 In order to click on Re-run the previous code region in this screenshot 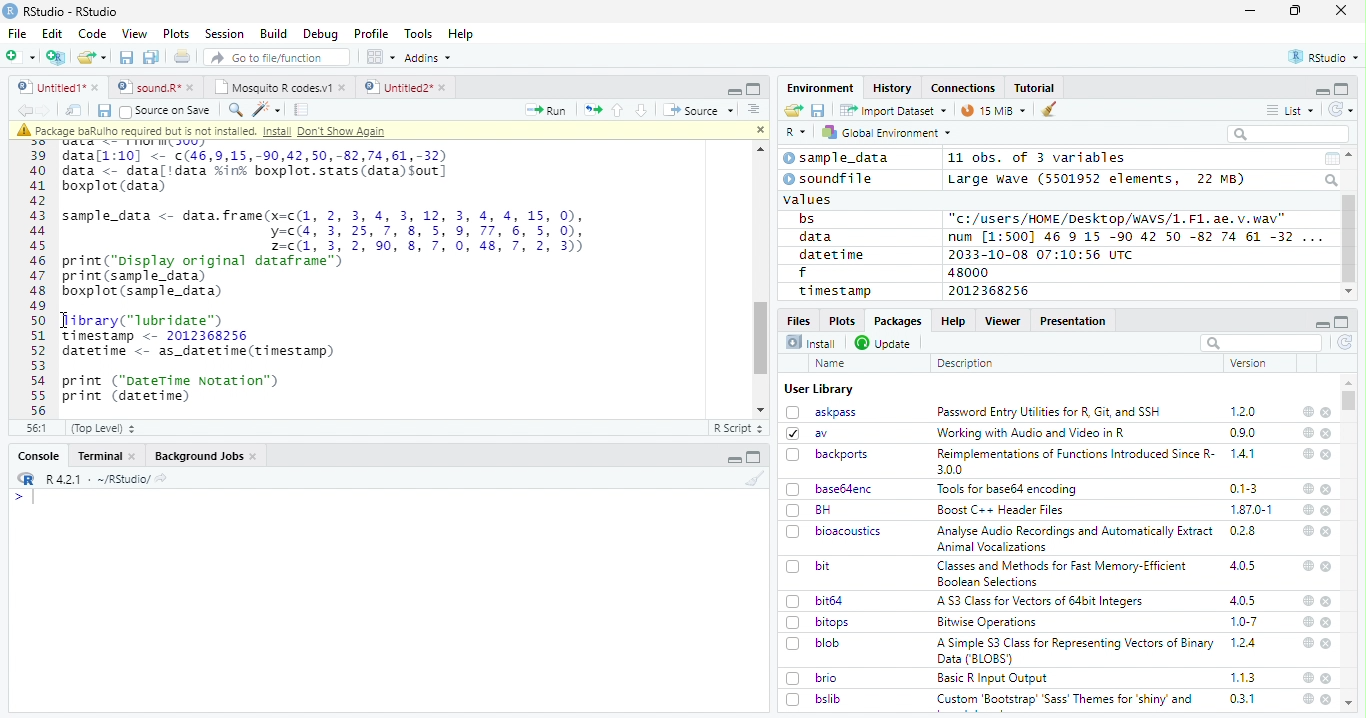, I will do `click(591, 111)`.